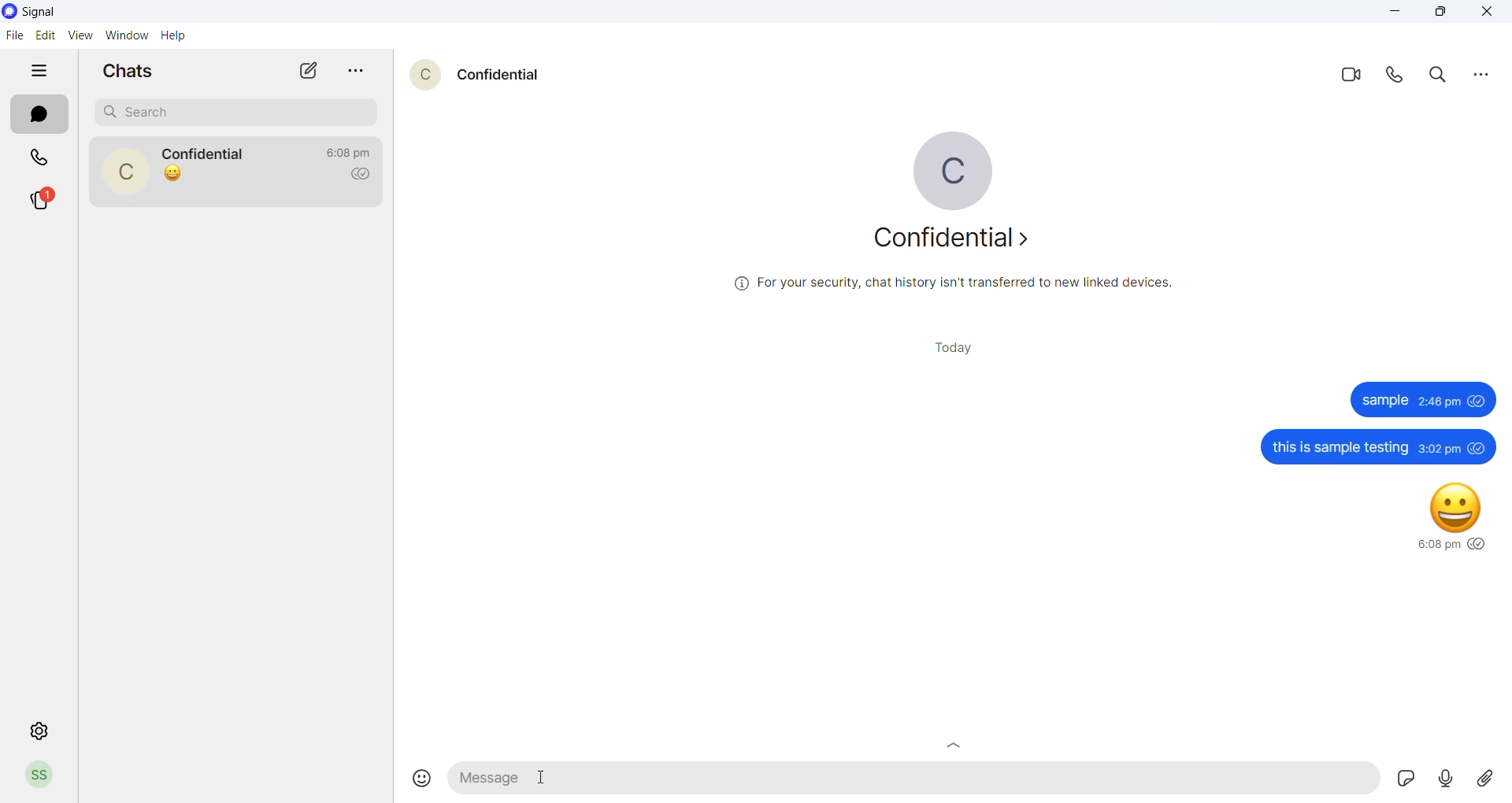 This screenshot has height=803, width=1512. Describe the element at coordinates (1357, 78) in the screenshot. I see `video call` at that location.